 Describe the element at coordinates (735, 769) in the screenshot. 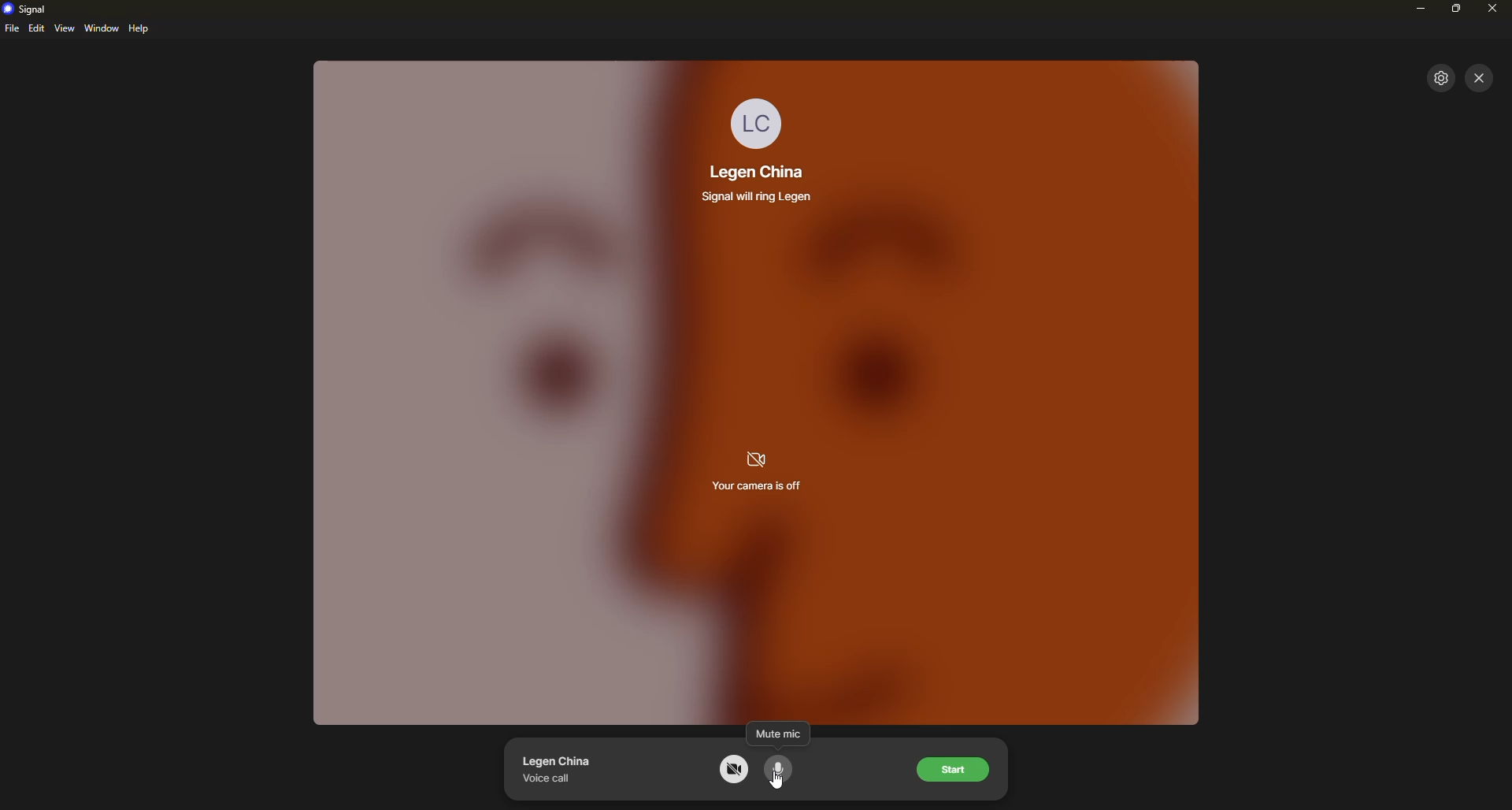

I see `camera off` at that location.